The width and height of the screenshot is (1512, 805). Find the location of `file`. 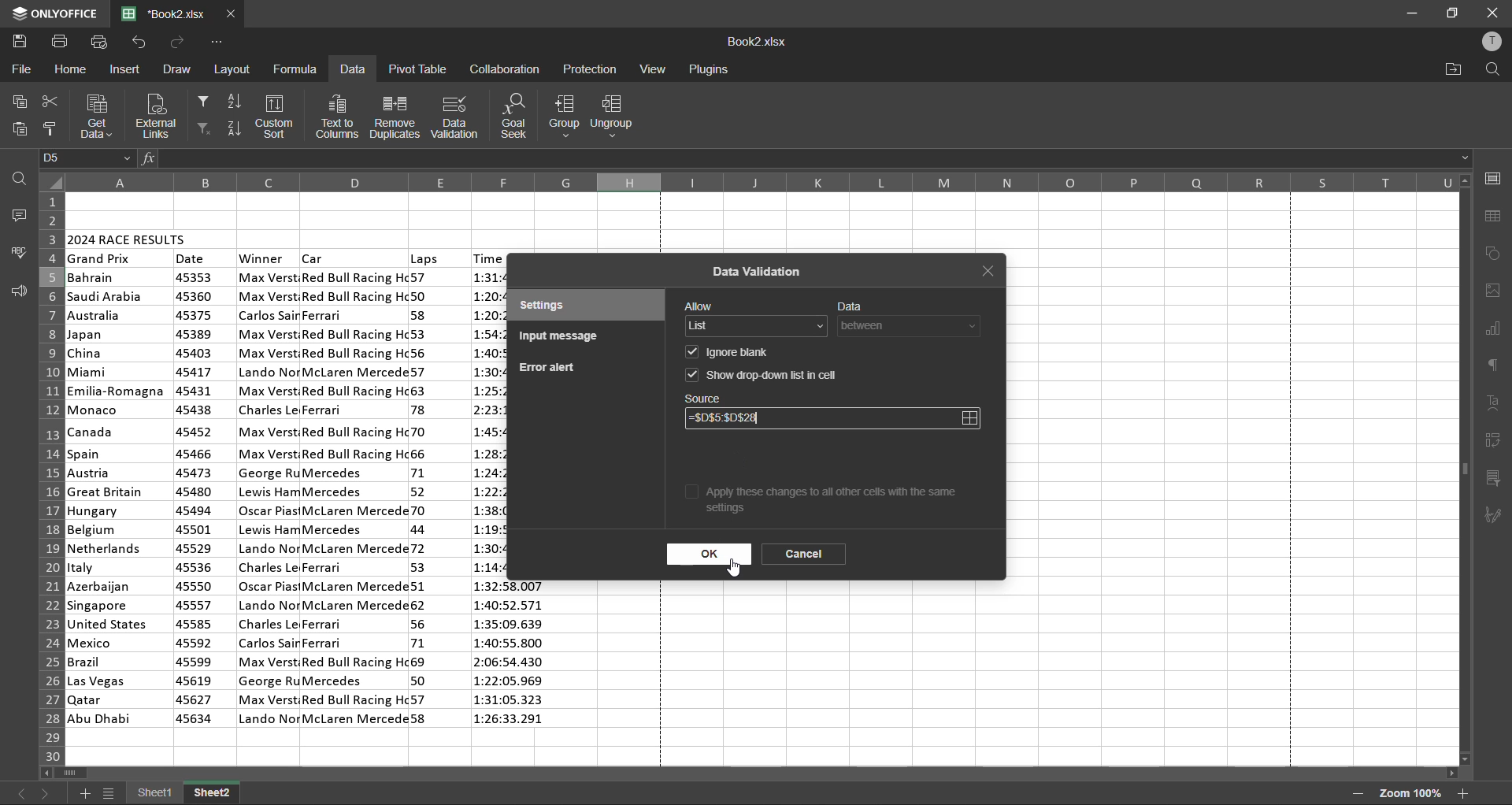

file is located at coordinates (19, 69).